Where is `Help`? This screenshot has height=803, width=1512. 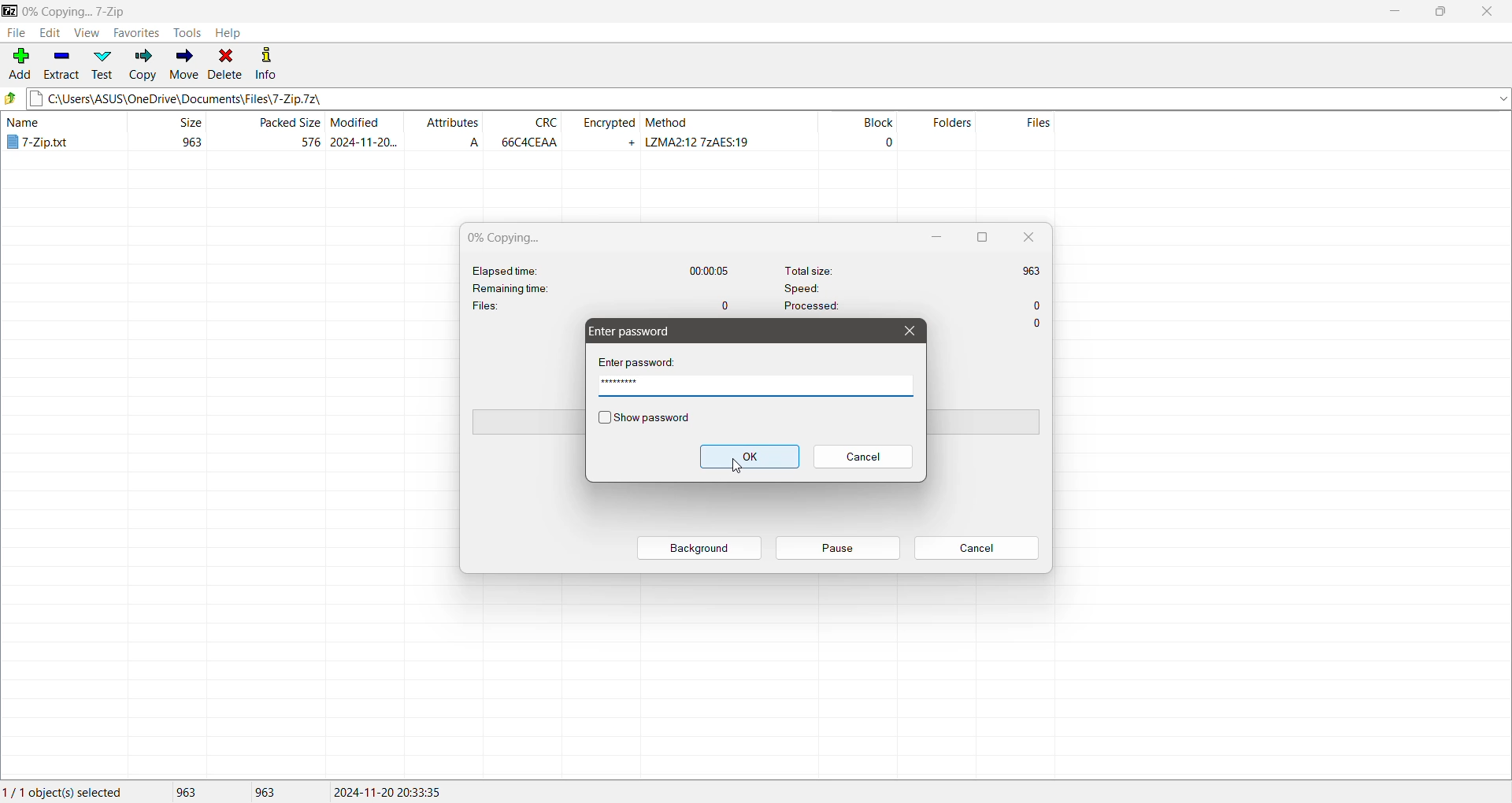
Help is located at coordinates (228, 32).